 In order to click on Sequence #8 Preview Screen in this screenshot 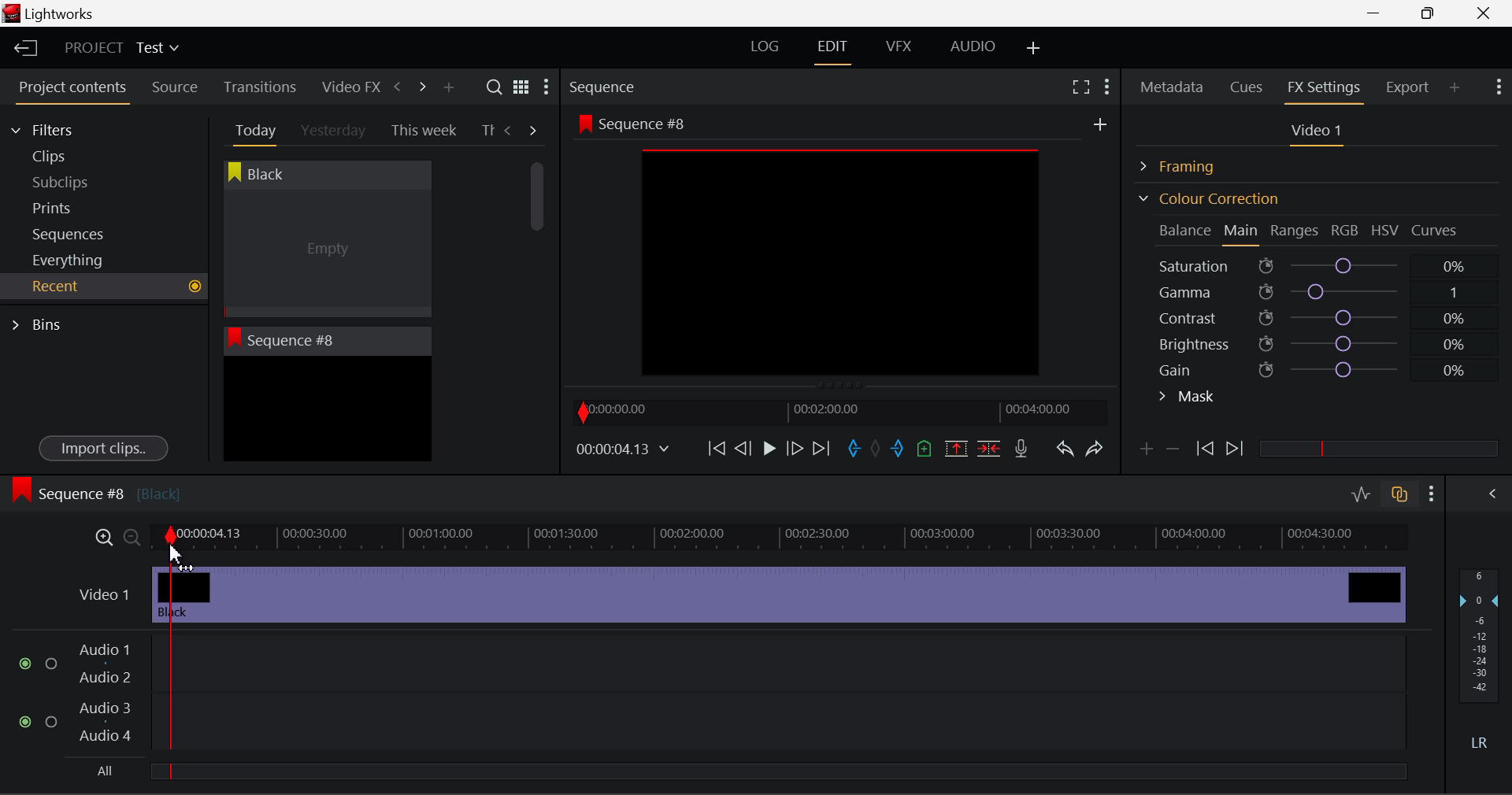, I will do `click(841, 250)`.